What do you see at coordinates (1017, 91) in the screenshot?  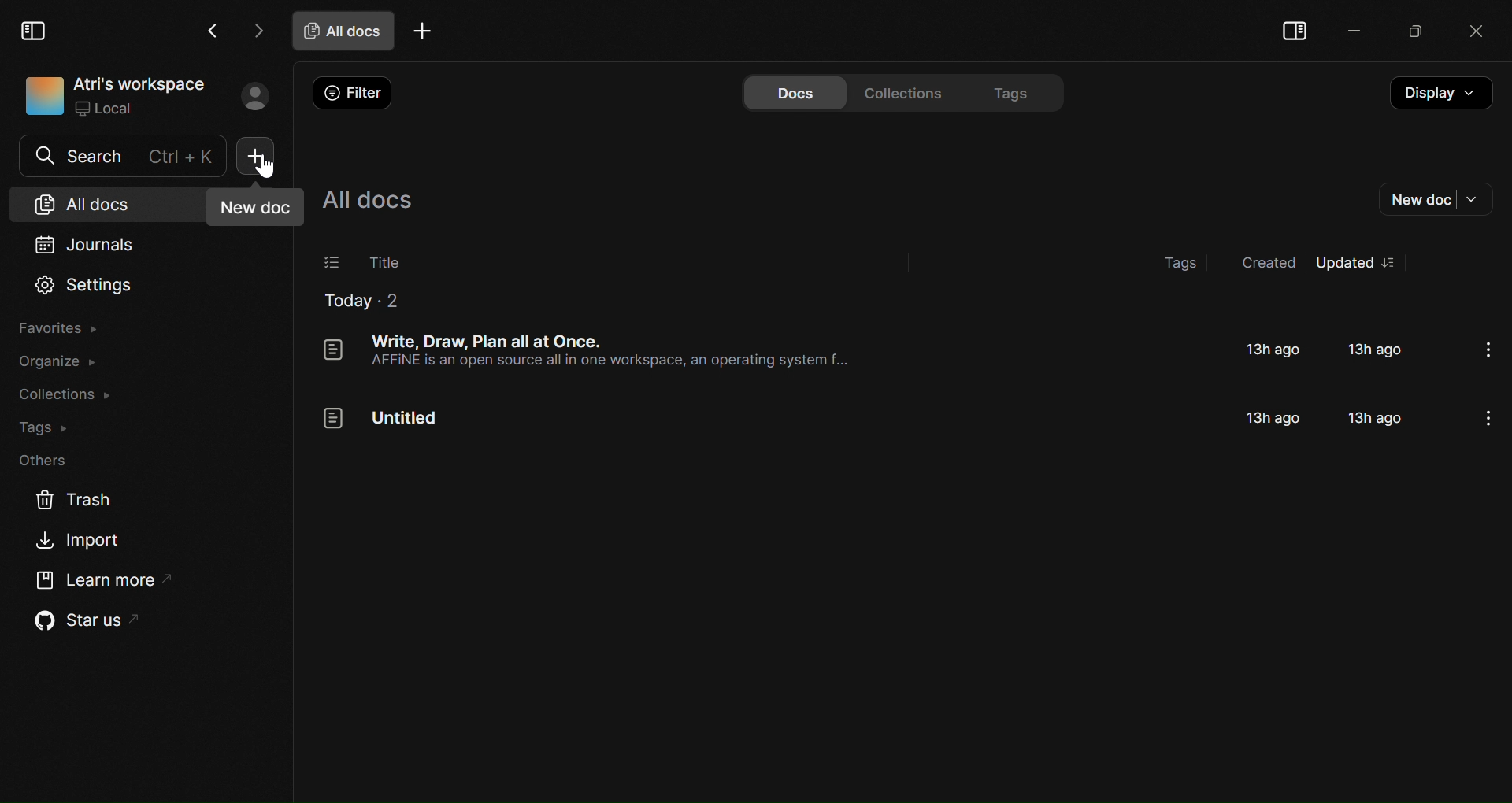 I see `Tags` at bounding box center [1017, 91].